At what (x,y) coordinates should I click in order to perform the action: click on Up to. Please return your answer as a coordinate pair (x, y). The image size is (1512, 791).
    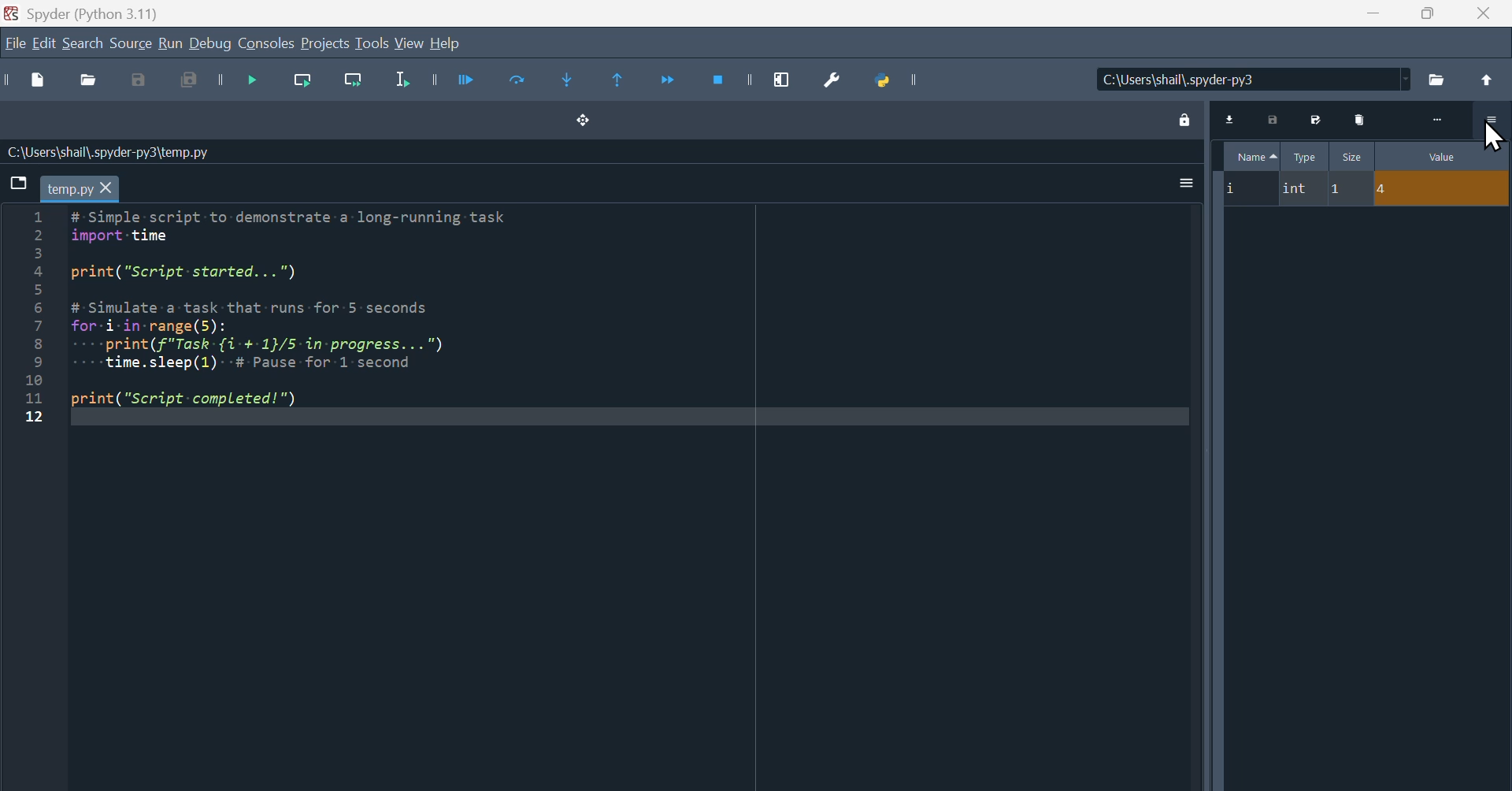
    Looking at the image, I should click on (1487, 79).